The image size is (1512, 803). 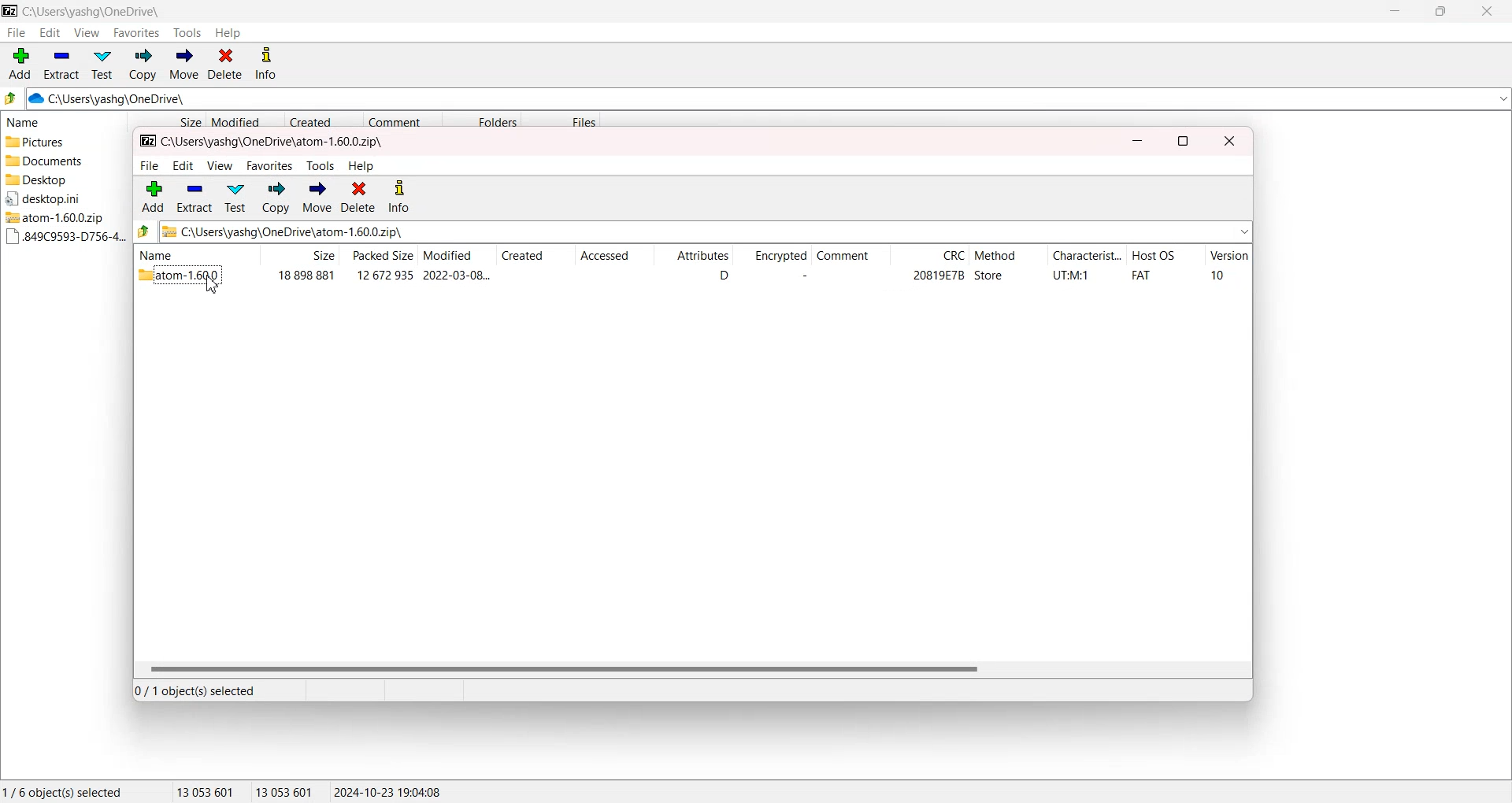 What do you see at coordinates (306, 276) in the screenshot?
I see `18 898 881` at bounding box center [306, 276].